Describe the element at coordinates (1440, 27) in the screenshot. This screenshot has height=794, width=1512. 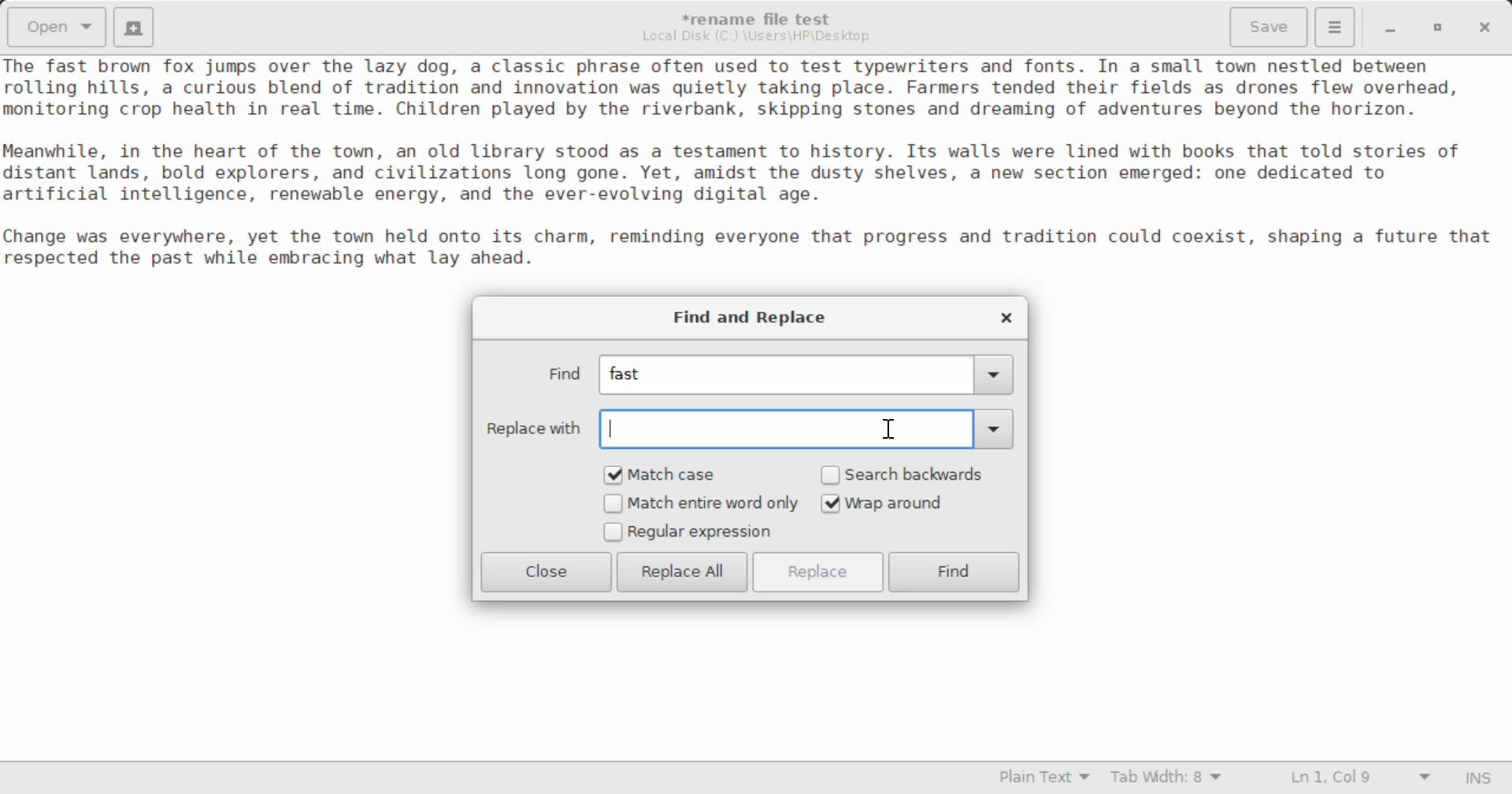
I see `Minimize` at that location.